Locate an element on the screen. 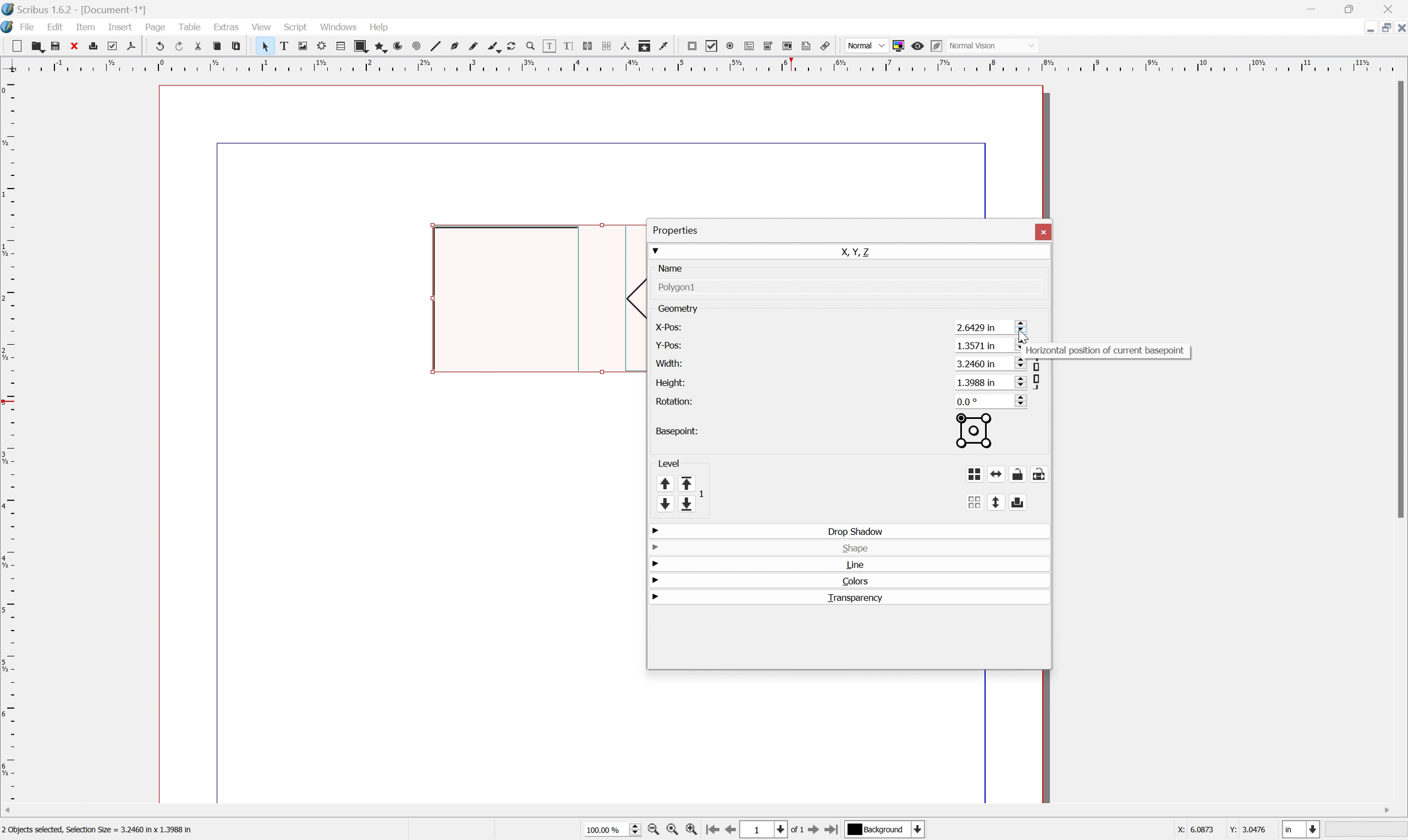  table is located at coordinates (339, 46).